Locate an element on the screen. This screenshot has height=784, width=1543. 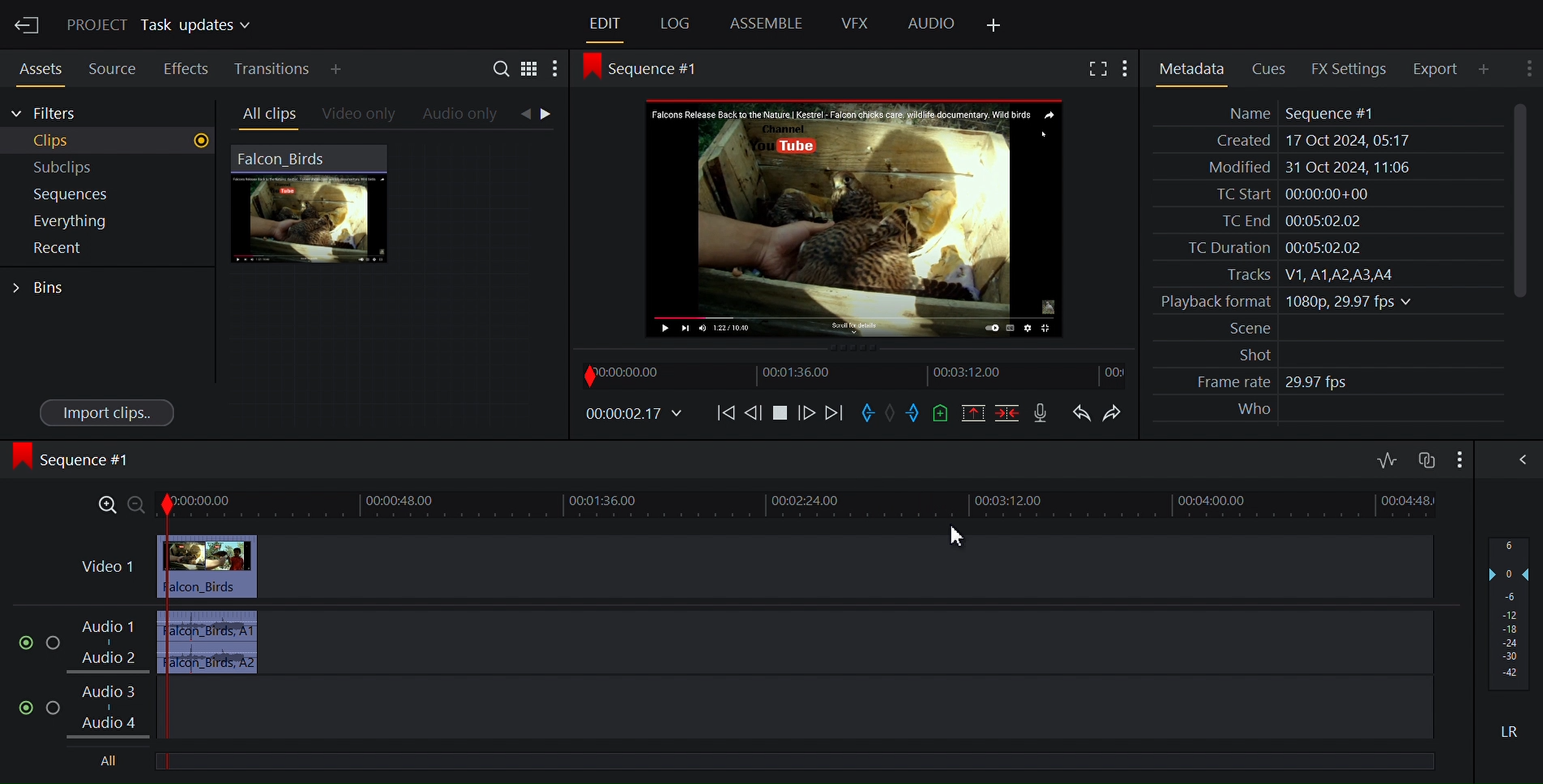
Export is located at coordinates (1434, 69).